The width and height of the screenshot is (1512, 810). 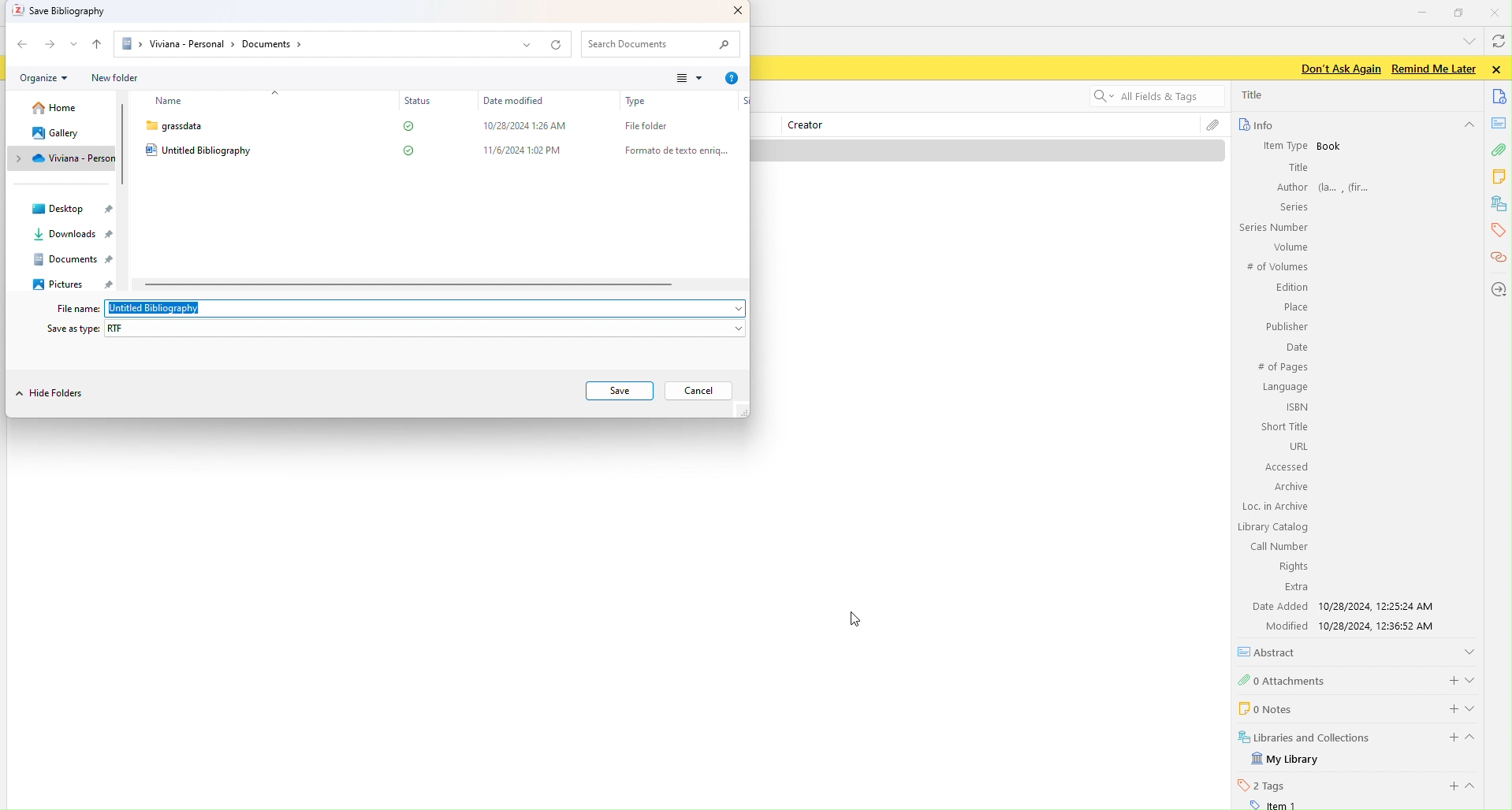 I want to click on Pictures, so click(x=69, y=283).